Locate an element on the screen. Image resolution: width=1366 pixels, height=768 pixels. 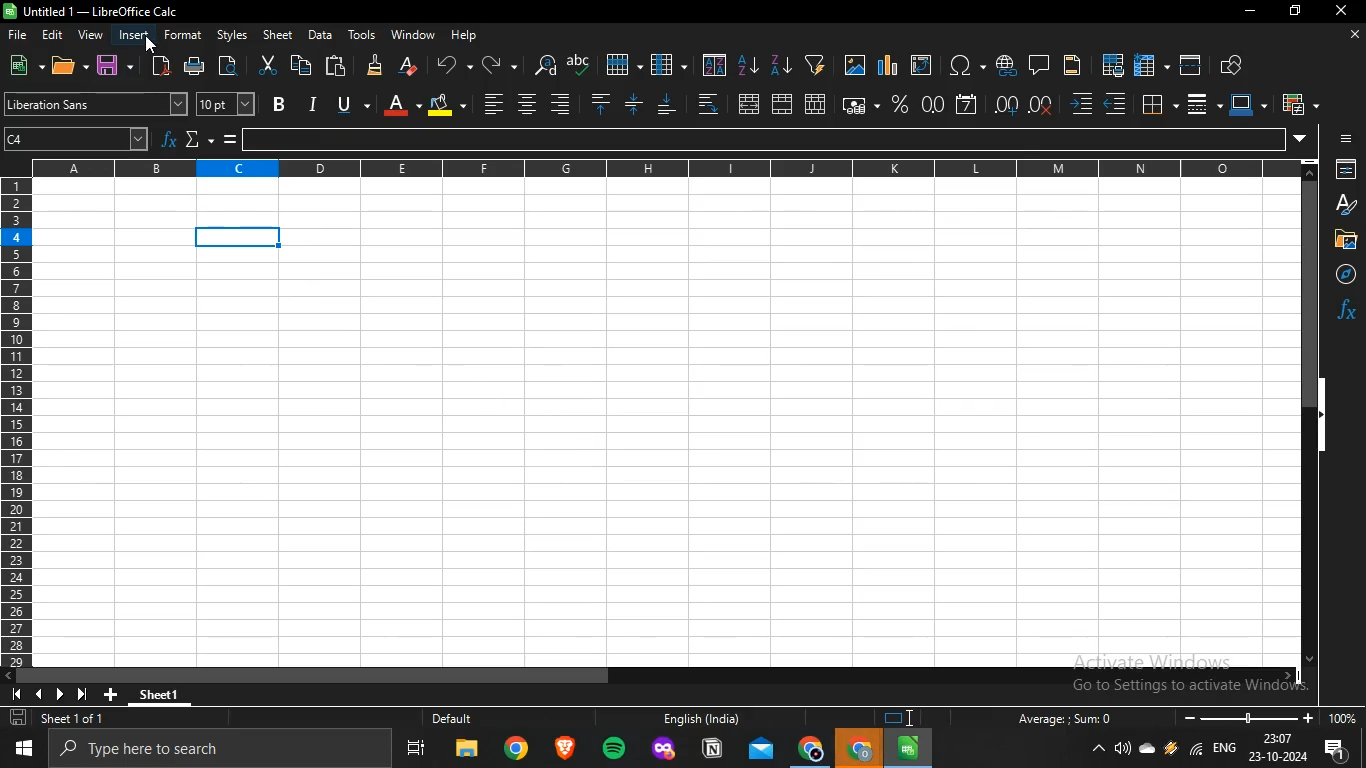
create filter is located at coordinates (815, 63).